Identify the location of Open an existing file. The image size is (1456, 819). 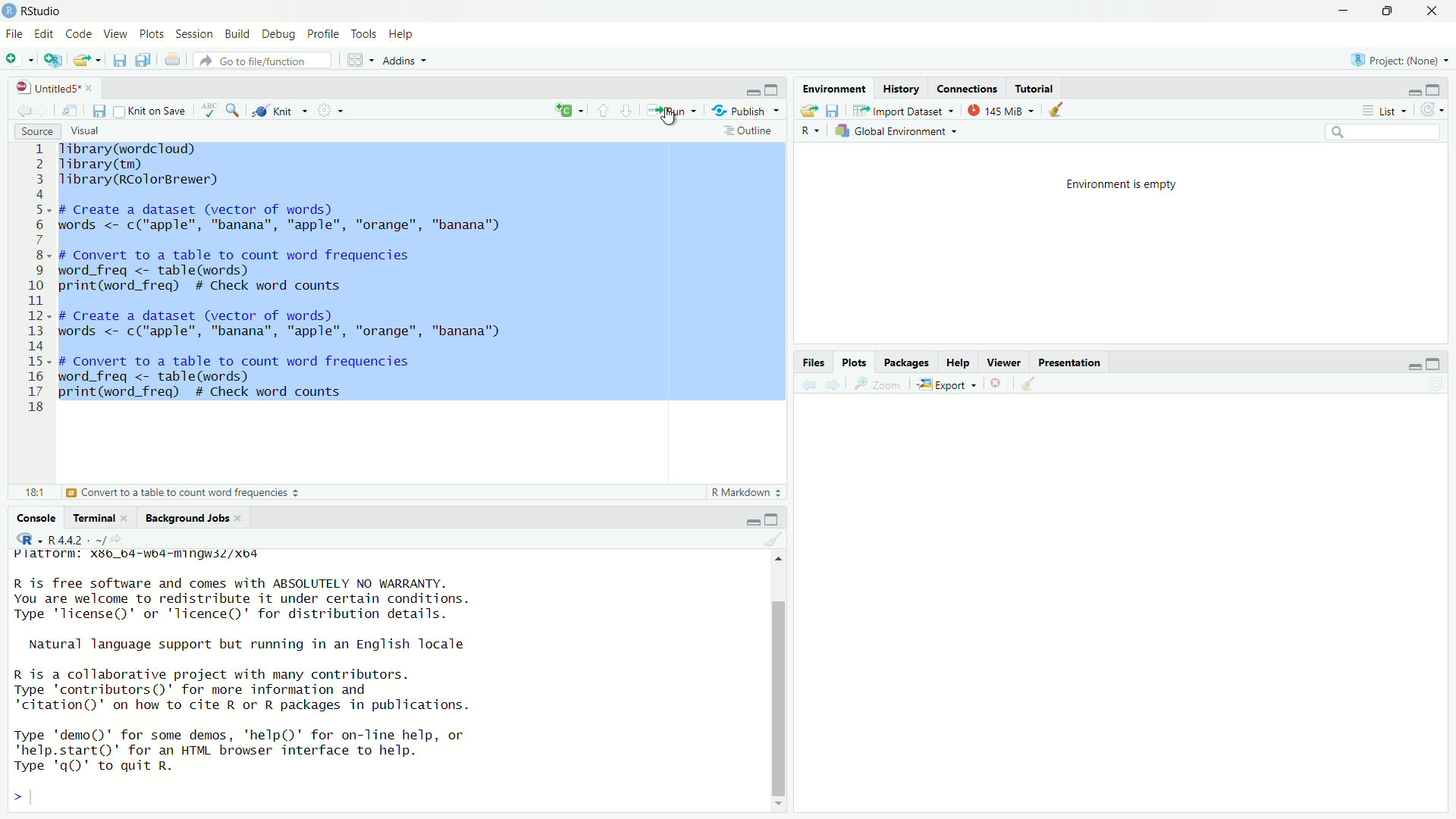
(86, 60).